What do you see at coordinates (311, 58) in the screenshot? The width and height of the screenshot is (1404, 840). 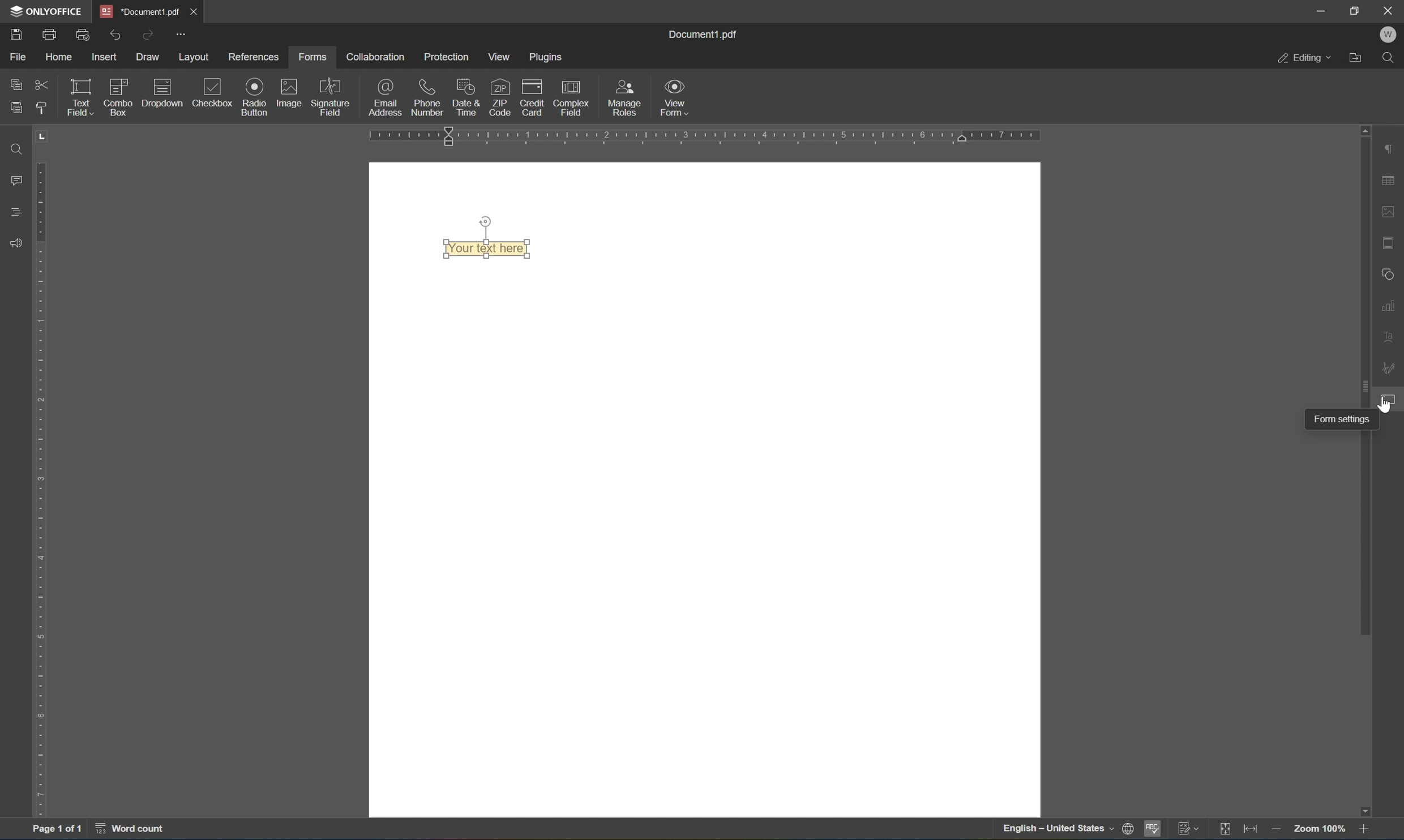 I see `forms` at bounding box center [311, 58].